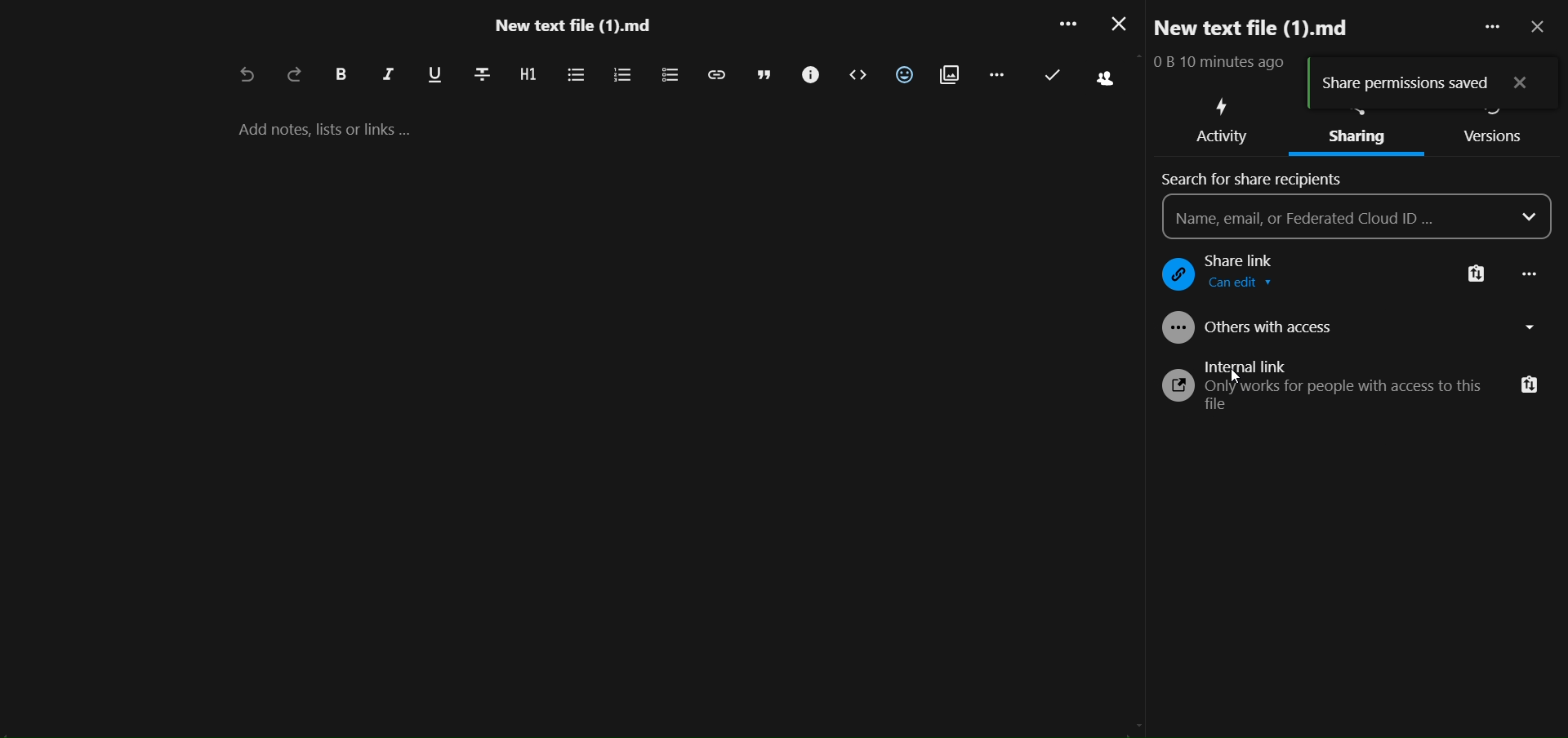  I want to click on copy link, so click(1529, 386).